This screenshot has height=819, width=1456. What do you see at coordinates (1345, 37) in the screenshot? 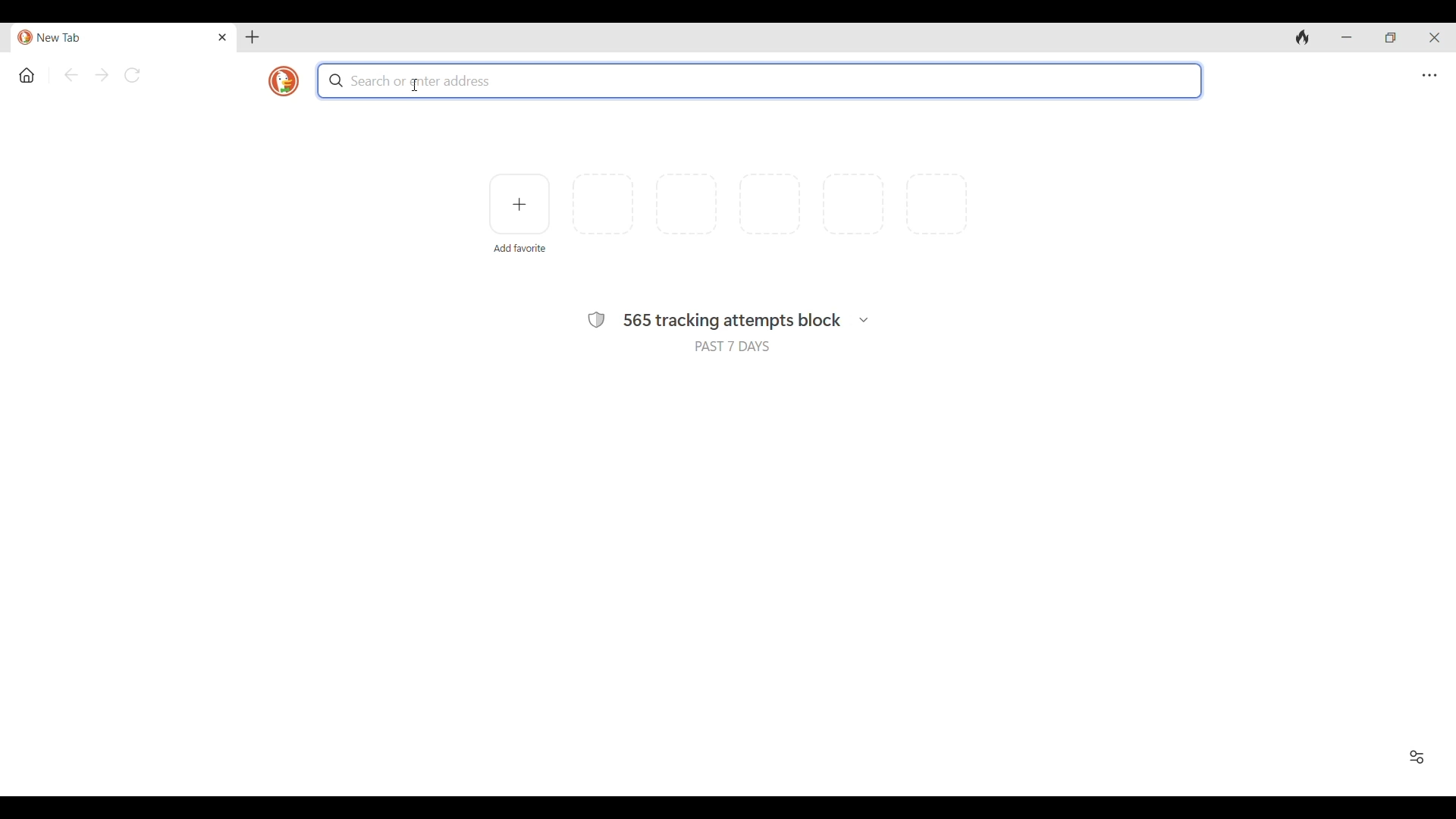
I see `Minimize` at bounding box center [1345, 37].